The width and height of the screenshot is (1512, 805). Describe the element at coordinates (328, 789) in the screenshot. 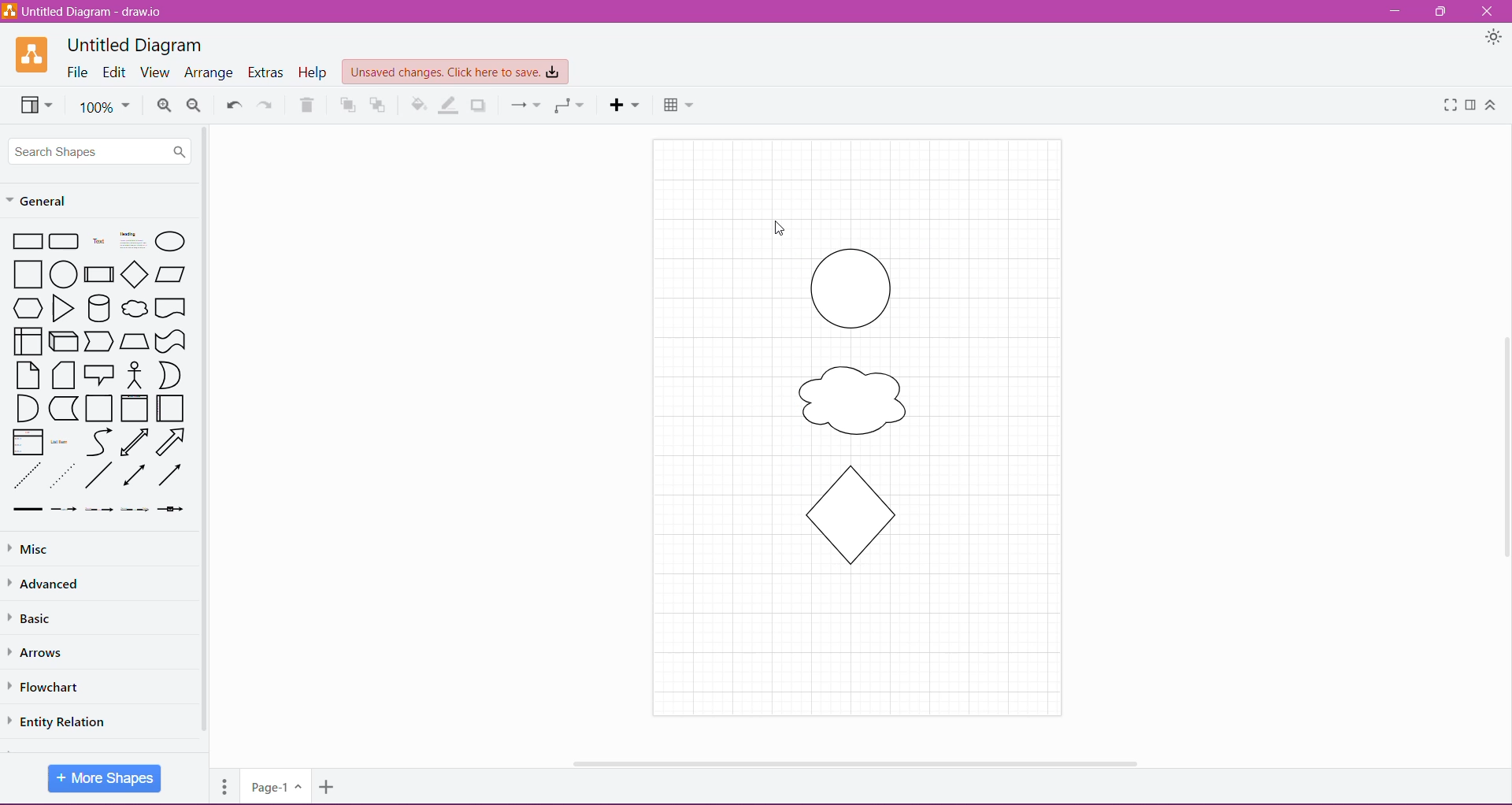

I see `Insert Page` at that location.